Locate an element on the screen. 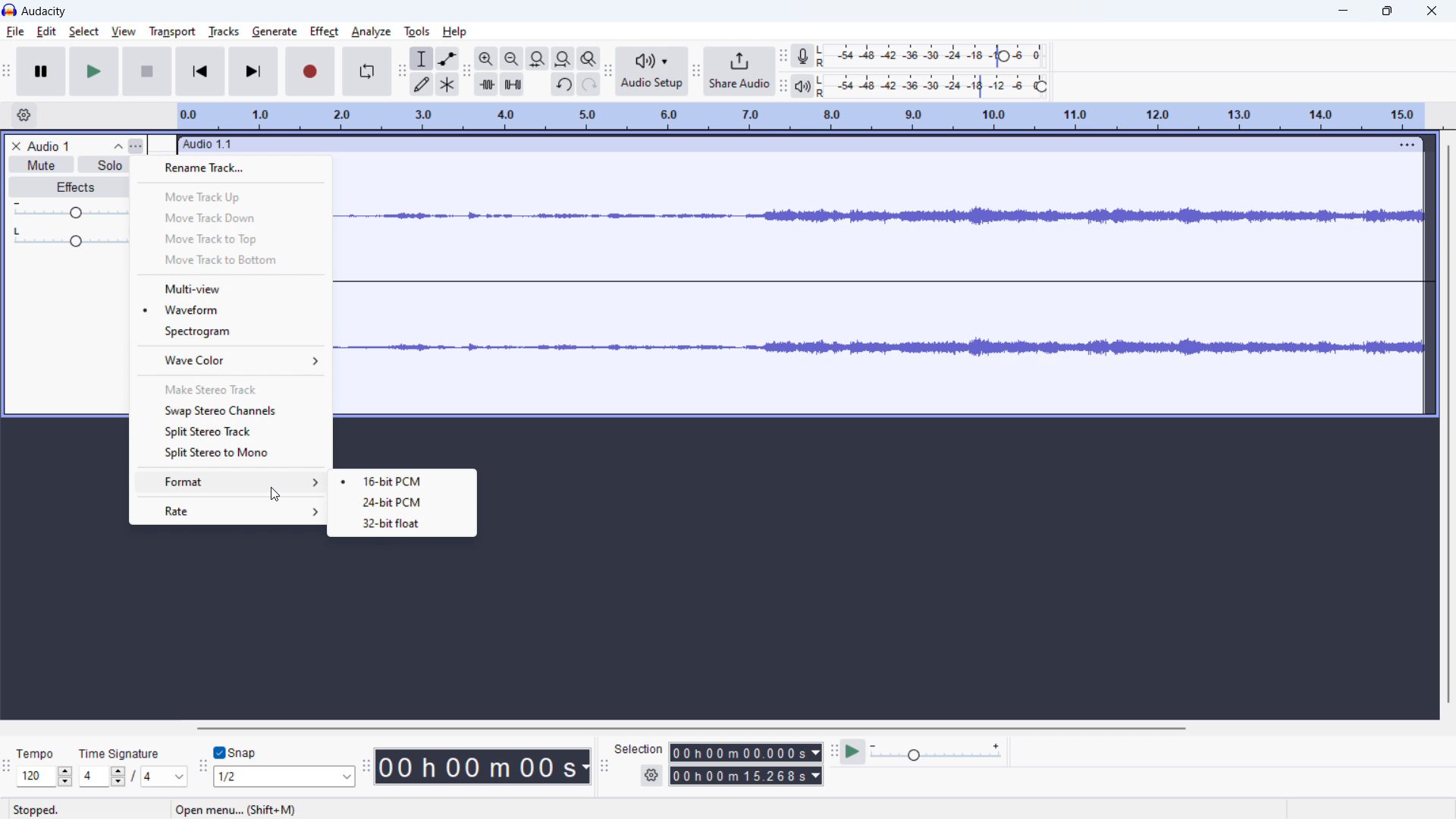  rename track is located at coordinates (231, 168).